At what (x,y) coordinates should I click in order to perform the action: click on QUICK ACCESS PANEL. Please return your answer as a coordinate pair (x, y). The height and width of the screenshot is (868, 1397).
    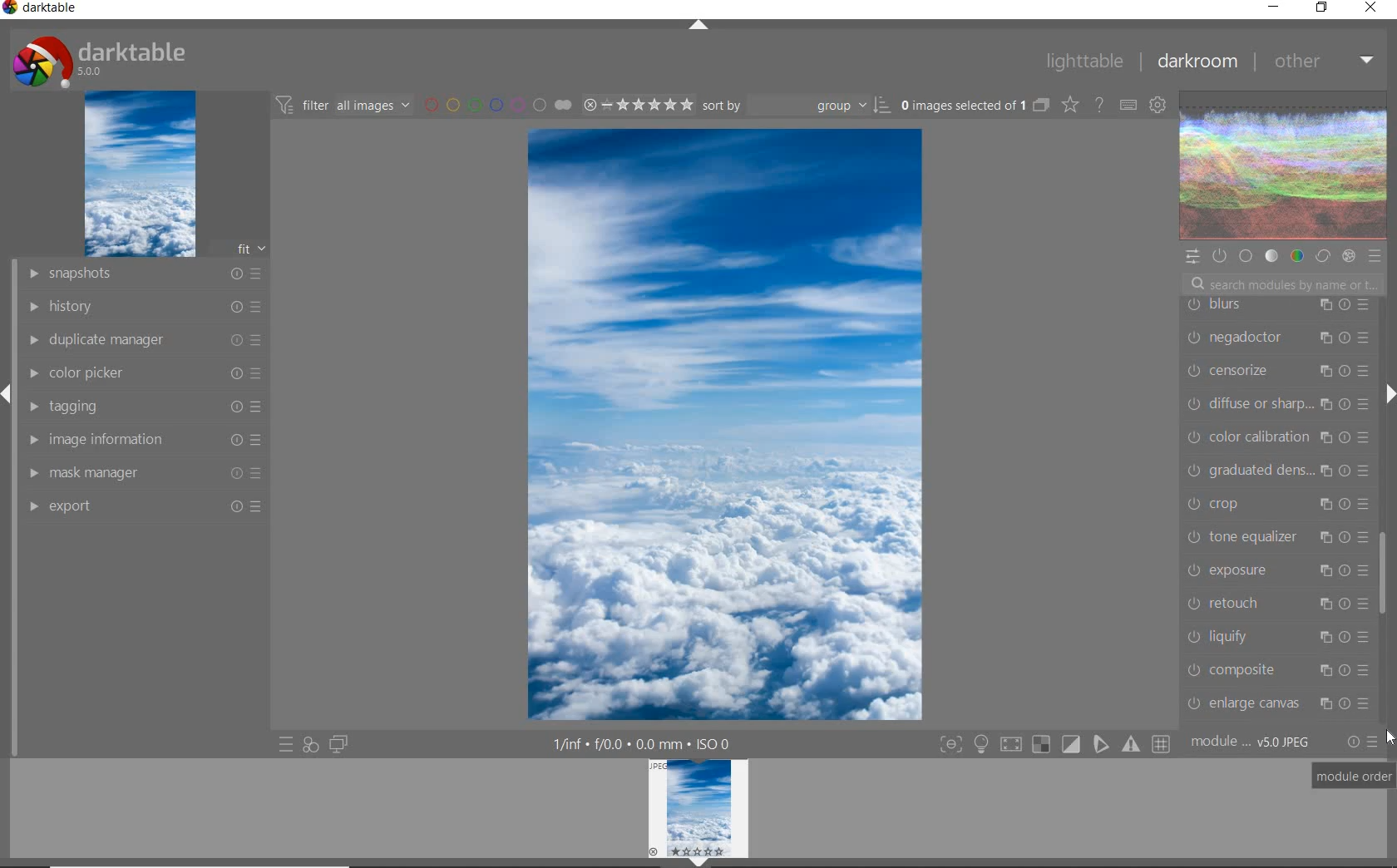
    Looking at the image, I should click on (1192, 254).